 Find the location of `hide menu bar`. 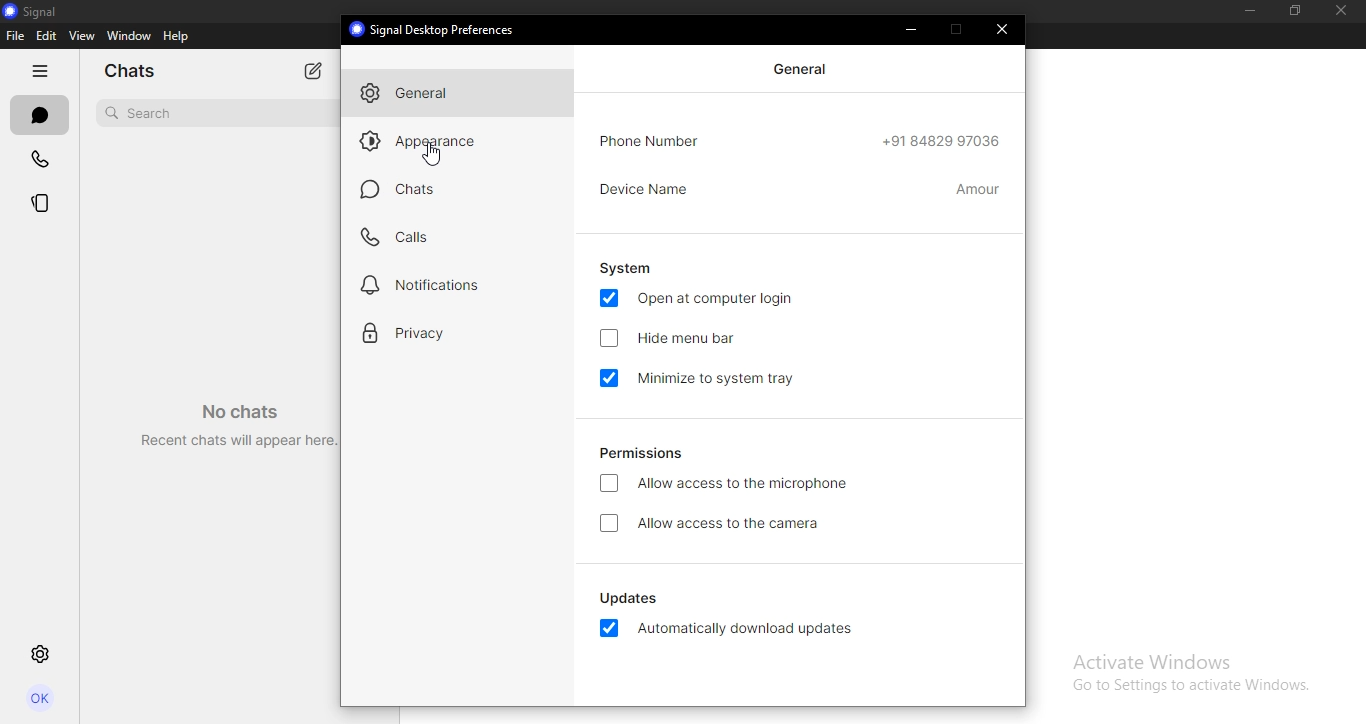

hide menu bar is located at coordinates (672, 339).